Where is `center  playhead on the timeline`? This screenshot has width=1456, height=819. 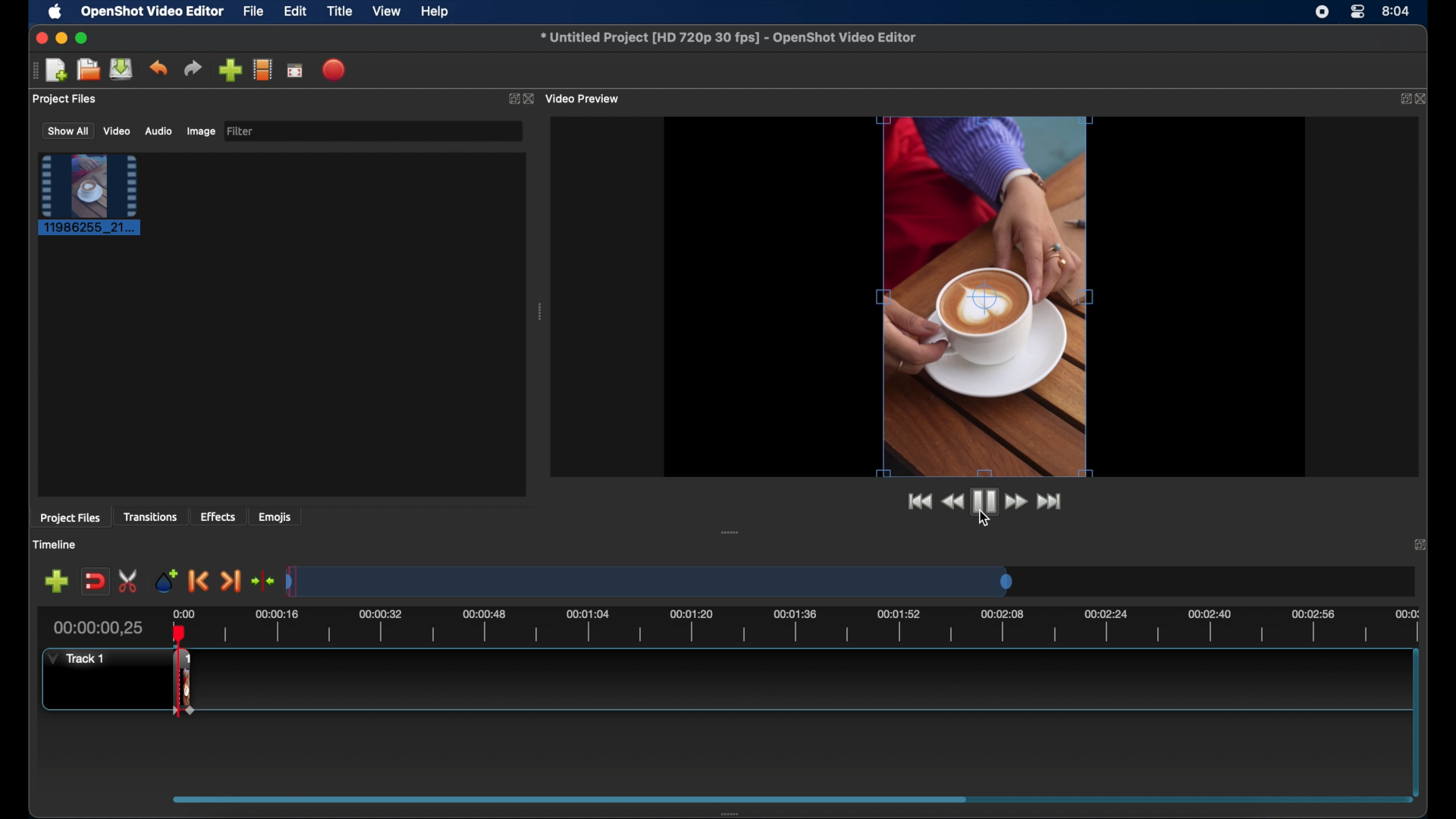
center  playhead on the timeline is located at coordinates (262, 579).